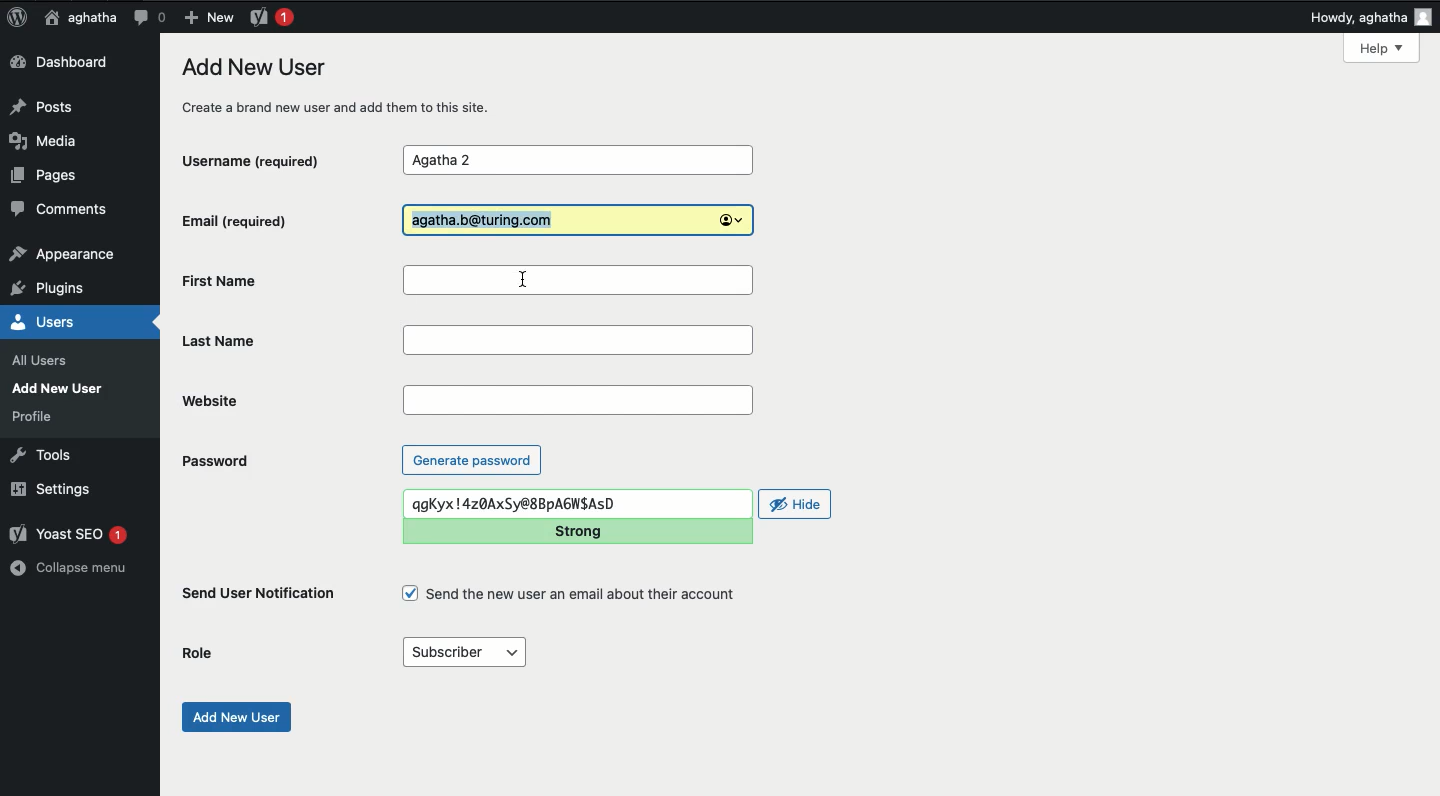 This screenshot has height=796, width=1440. Describe the element at coordinates (269, 159) in the screenshot. I see `Username (required)` at that location.